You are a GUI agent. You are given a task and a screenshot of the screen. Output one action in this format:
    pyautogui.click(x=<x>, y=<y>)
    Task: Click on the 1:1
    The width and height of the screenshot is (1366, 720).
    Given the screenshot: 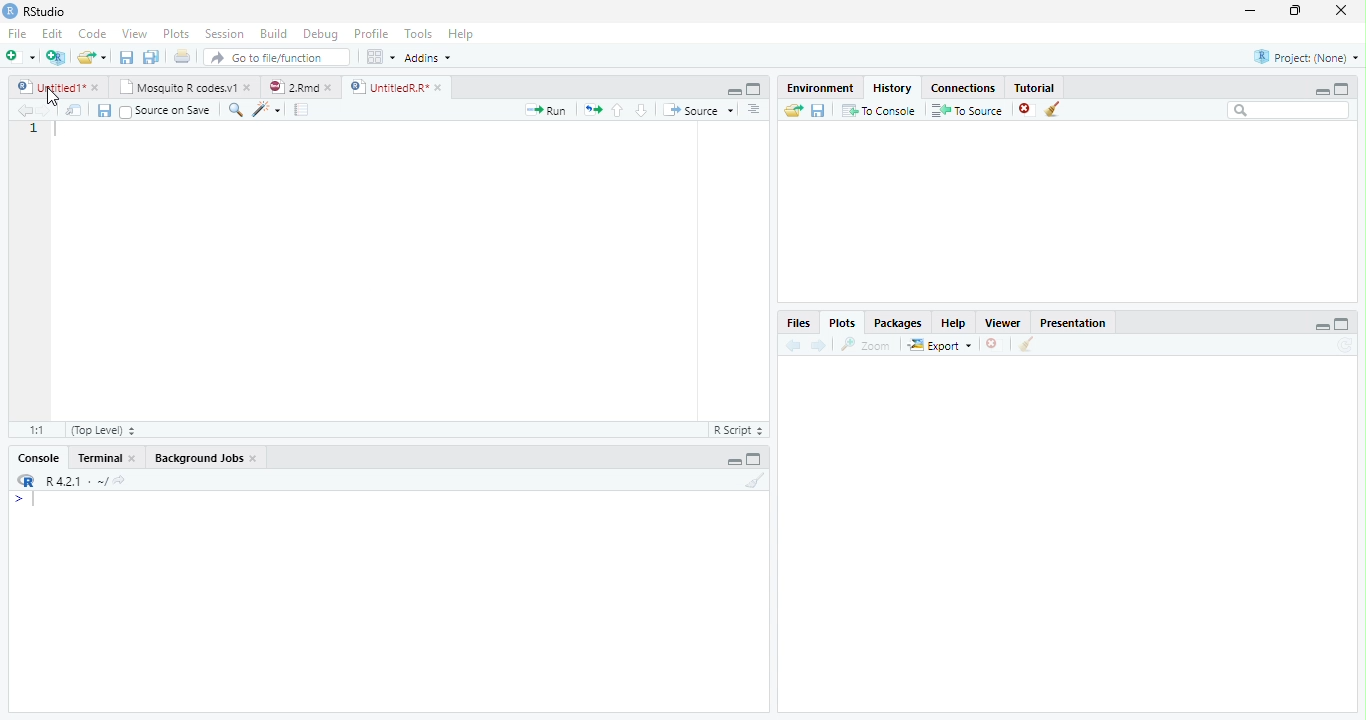 What is the action you would take?
    pyautogui.click(x=33, y=430)
    